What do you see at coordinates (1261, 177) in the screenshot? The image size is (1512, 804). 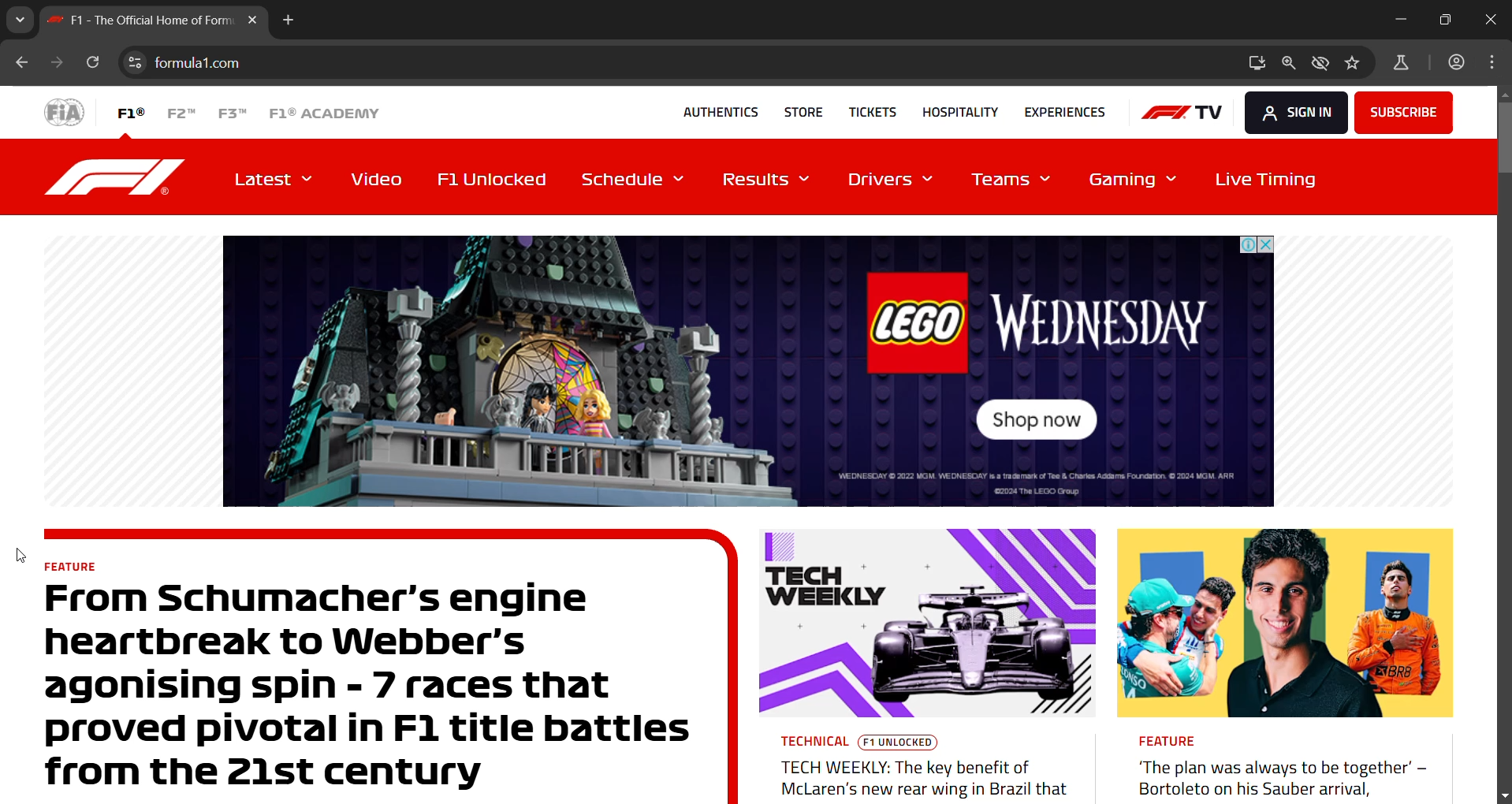 I see `Live Timing` at bounding box center [1261, 177].